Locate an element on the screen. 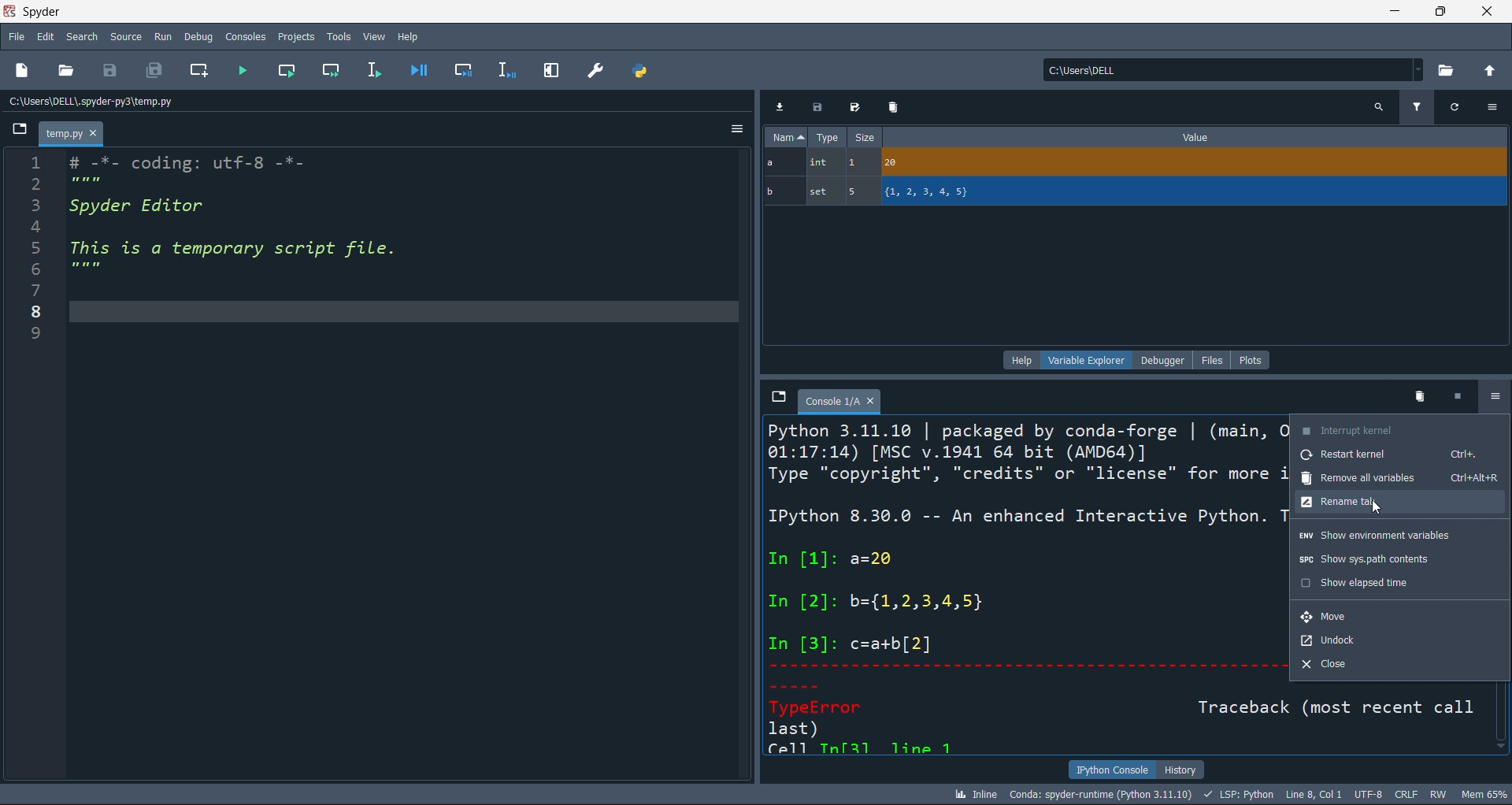 The height and width of the screenshot is (805, 1512). refresh  is located at coordinates (1453, 106).